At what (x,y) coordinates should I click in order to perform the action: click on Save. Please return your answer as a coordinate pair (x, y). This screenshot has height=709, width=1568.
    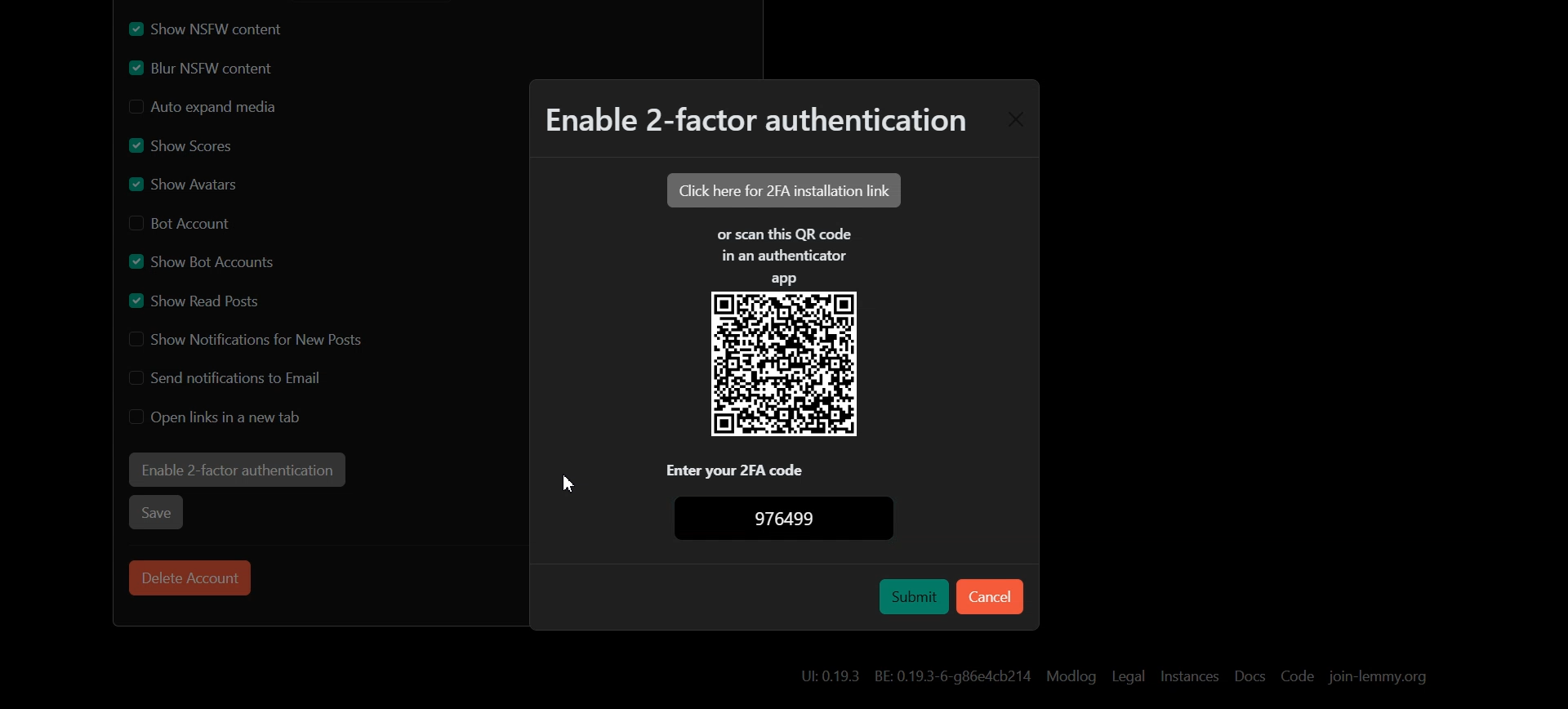
    Looking at the image, I should click on (158, 511).